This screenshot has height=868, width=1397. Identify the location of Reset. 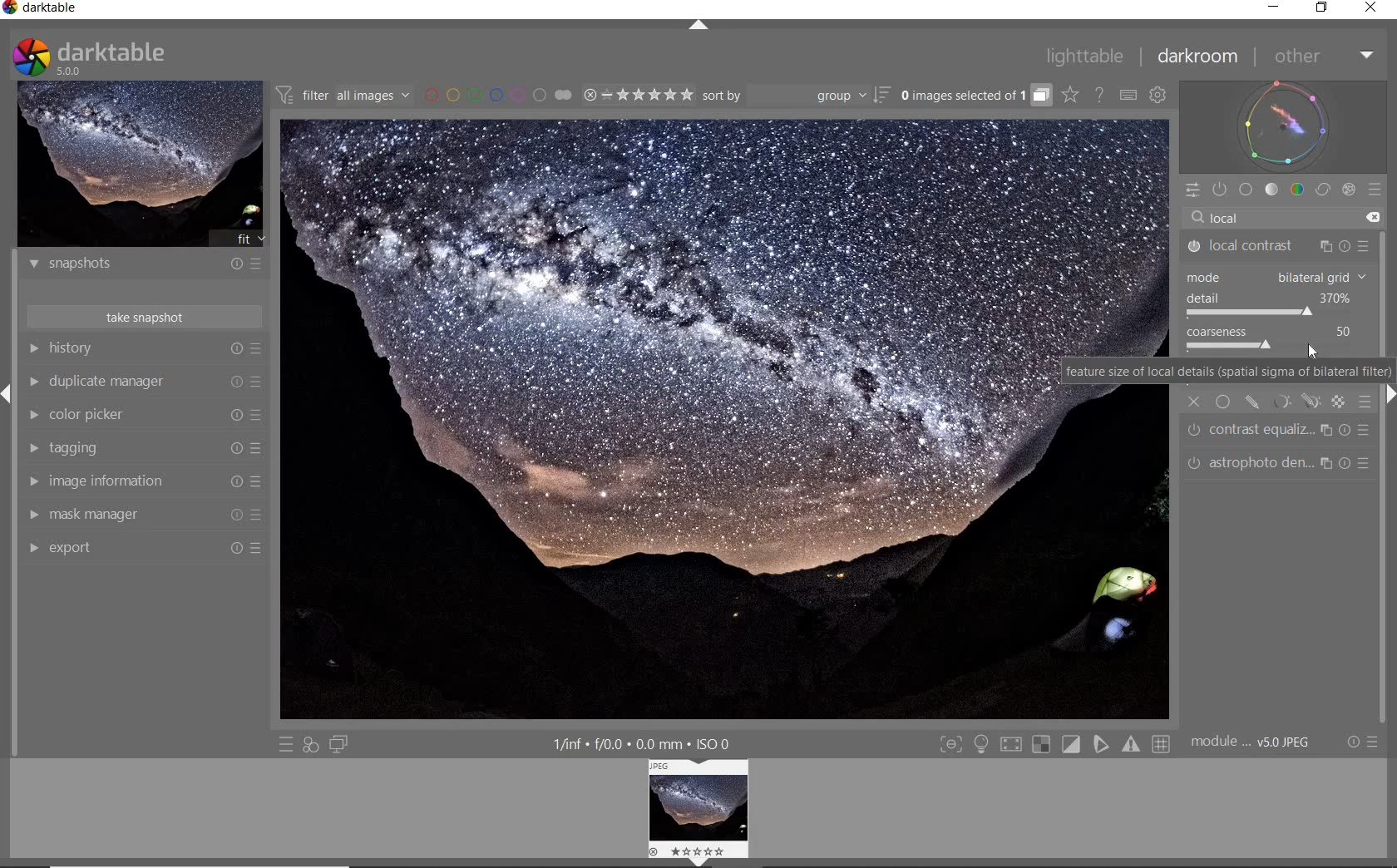
(234, 515).